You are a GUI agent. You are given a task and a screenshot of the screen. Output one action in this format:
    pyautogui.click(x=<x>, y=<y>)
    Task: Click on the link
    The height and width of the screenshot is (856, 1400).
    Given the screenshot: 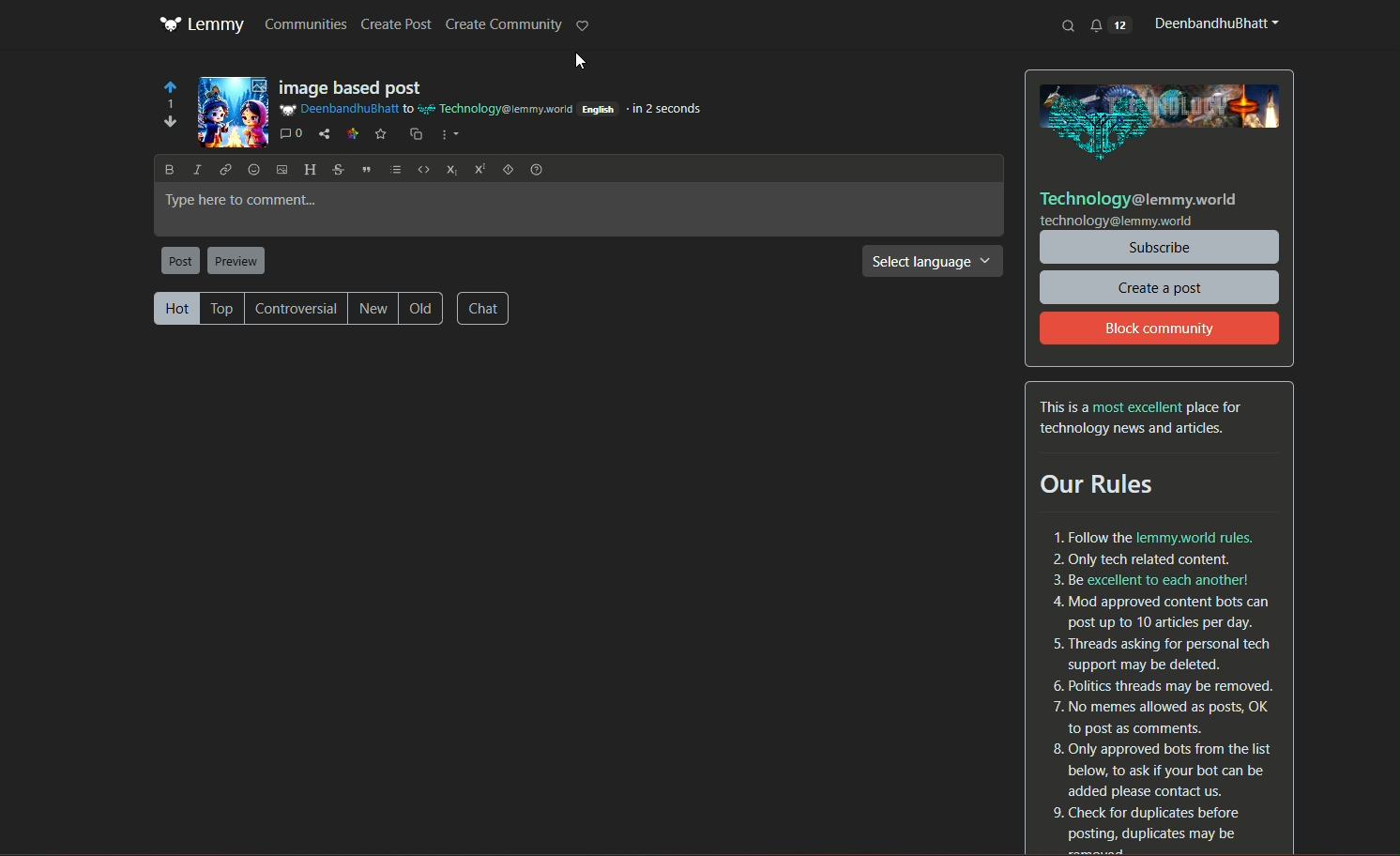 What is the action you would take?
    pyautogui.click(x=225, y=169)
    